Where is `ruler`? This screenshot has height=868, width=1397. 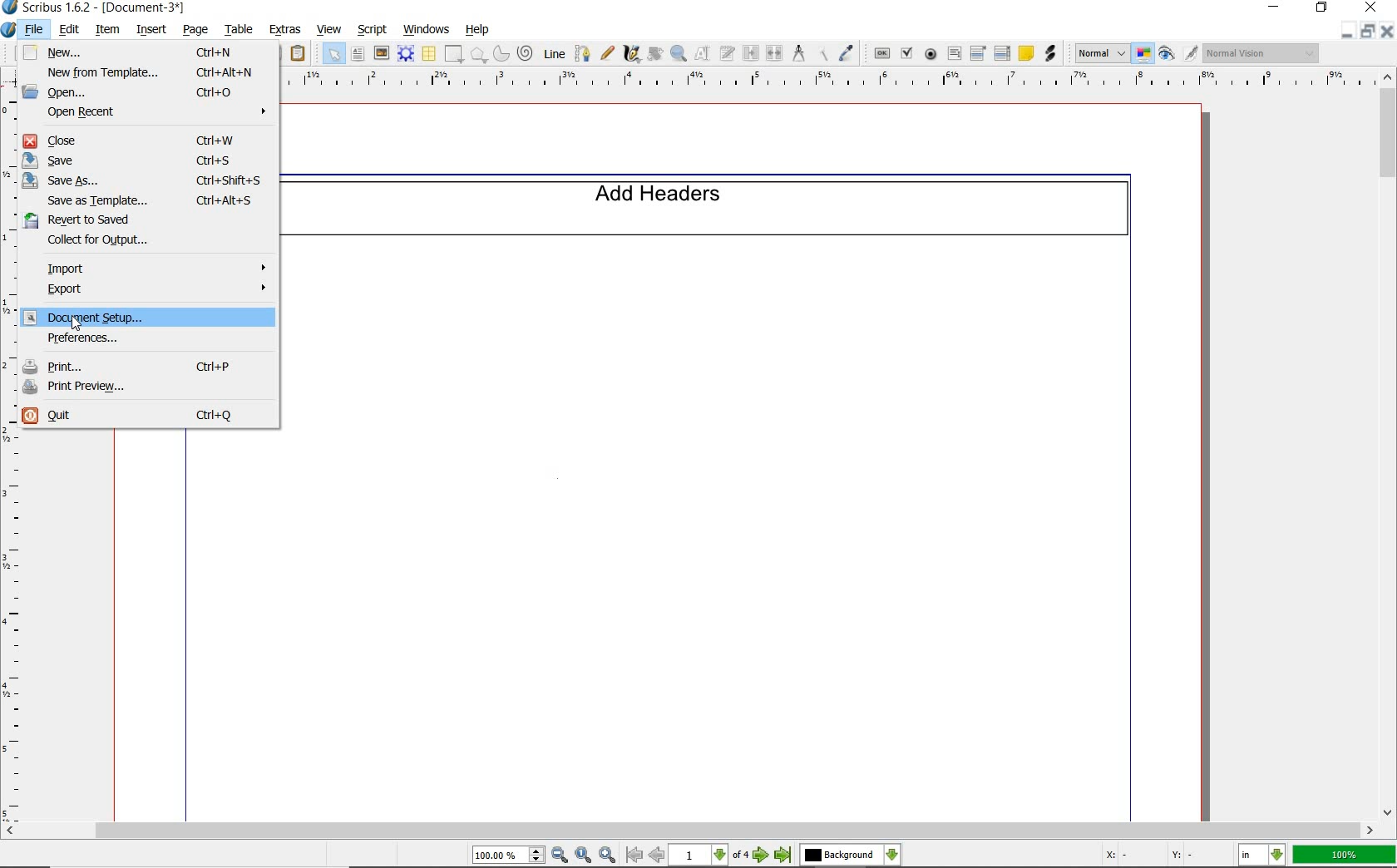 ruler is located at coordinates (826, 83).